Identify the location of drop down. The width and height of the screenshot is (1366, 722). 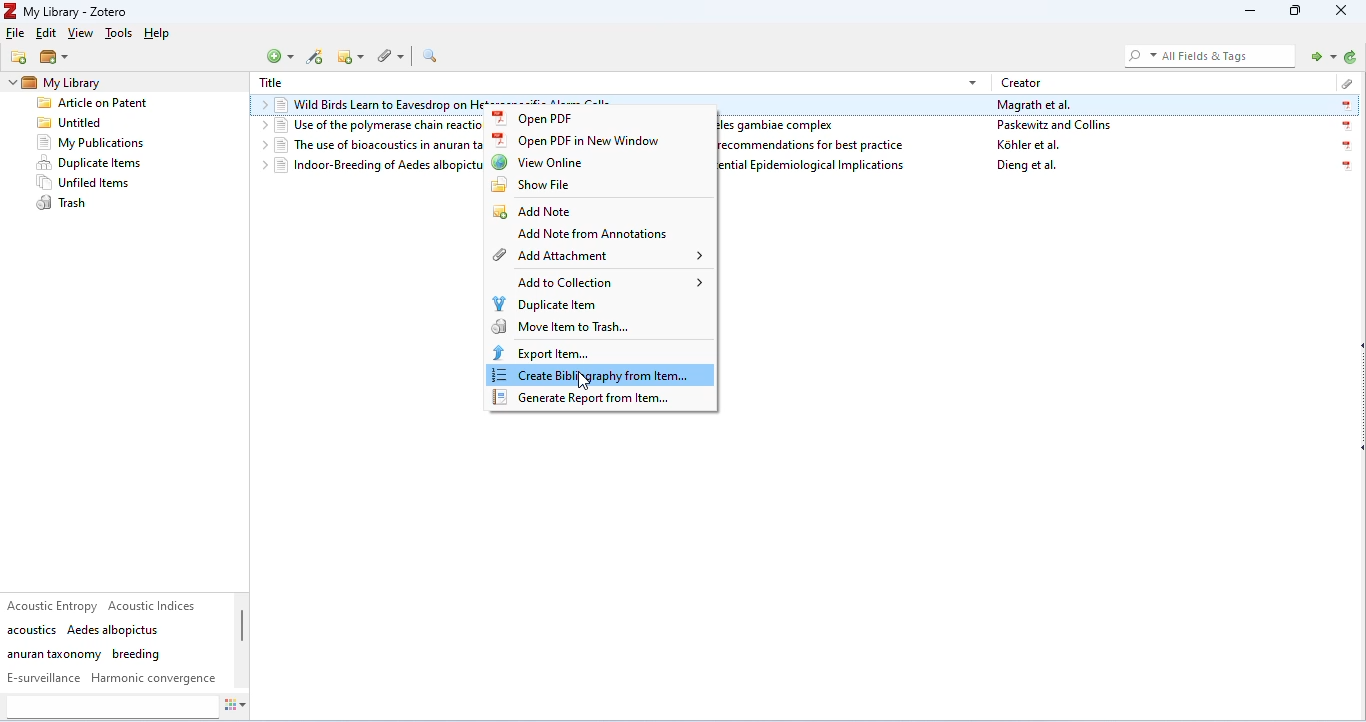
(260, 126).